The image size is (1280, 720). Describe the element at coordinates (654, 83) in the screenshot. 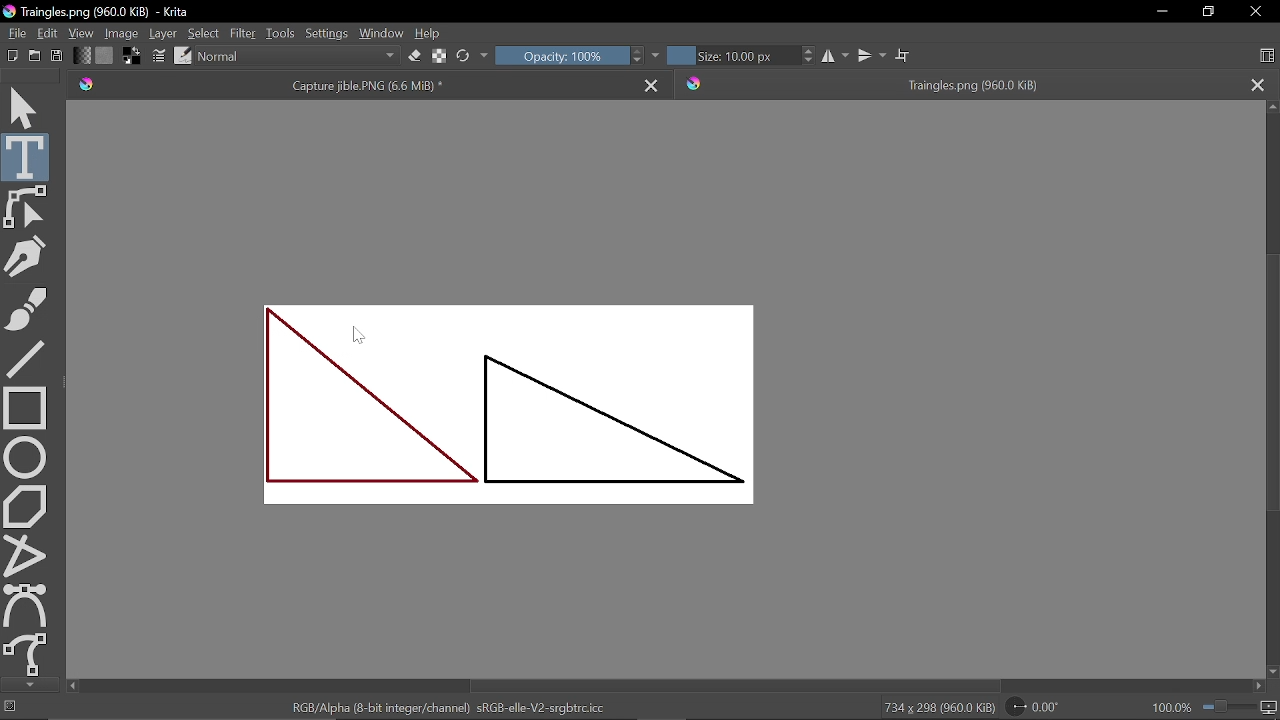

I see `Close current tab` at that location.